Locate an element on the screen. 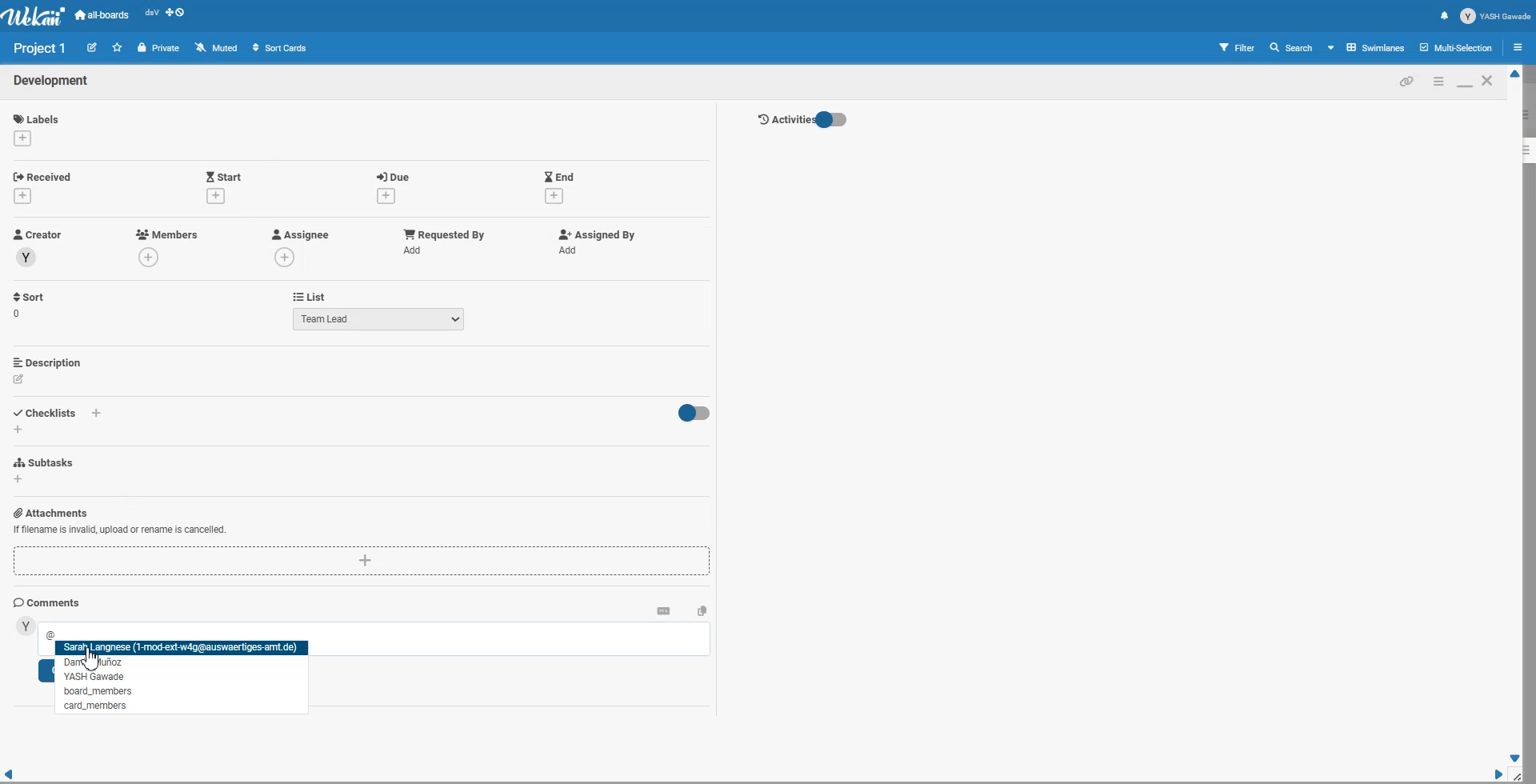  add is located at coordinates (26, 195).